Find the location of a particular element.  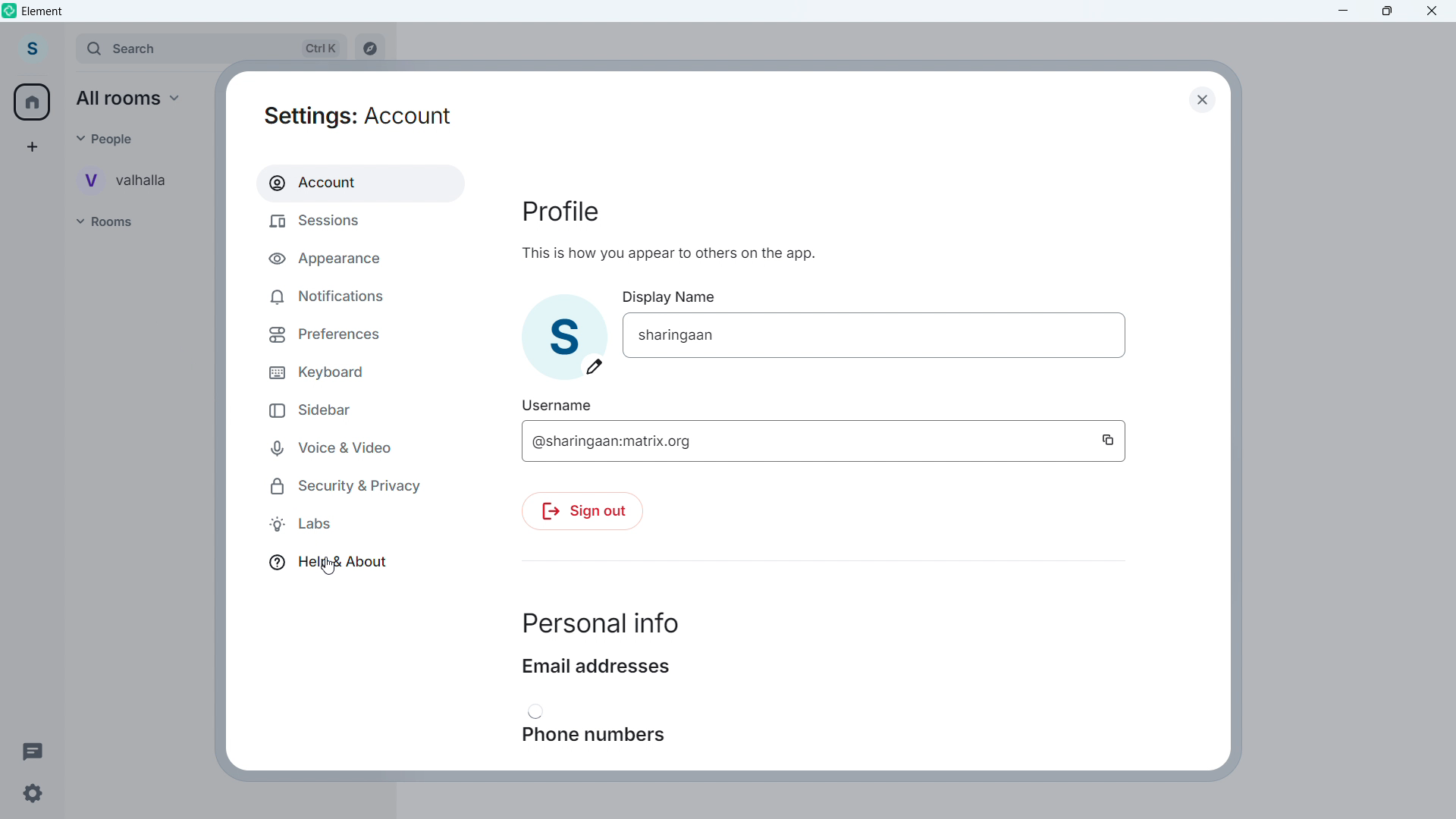

Security and privacy  is located at coordinates (352, 487).